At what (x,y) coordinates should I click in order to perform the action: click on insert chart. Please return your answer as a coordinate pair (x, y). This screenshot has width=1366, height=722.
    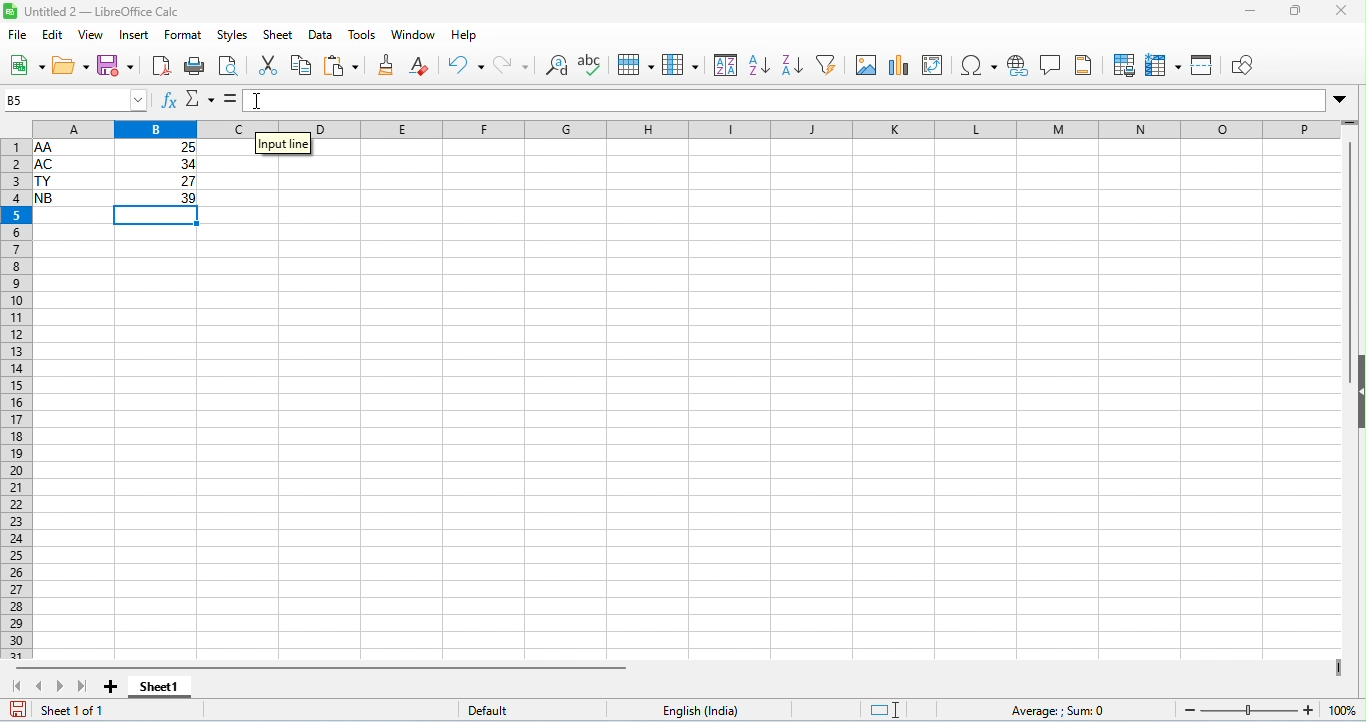
    Looking at the image, I should click on (896, 65).